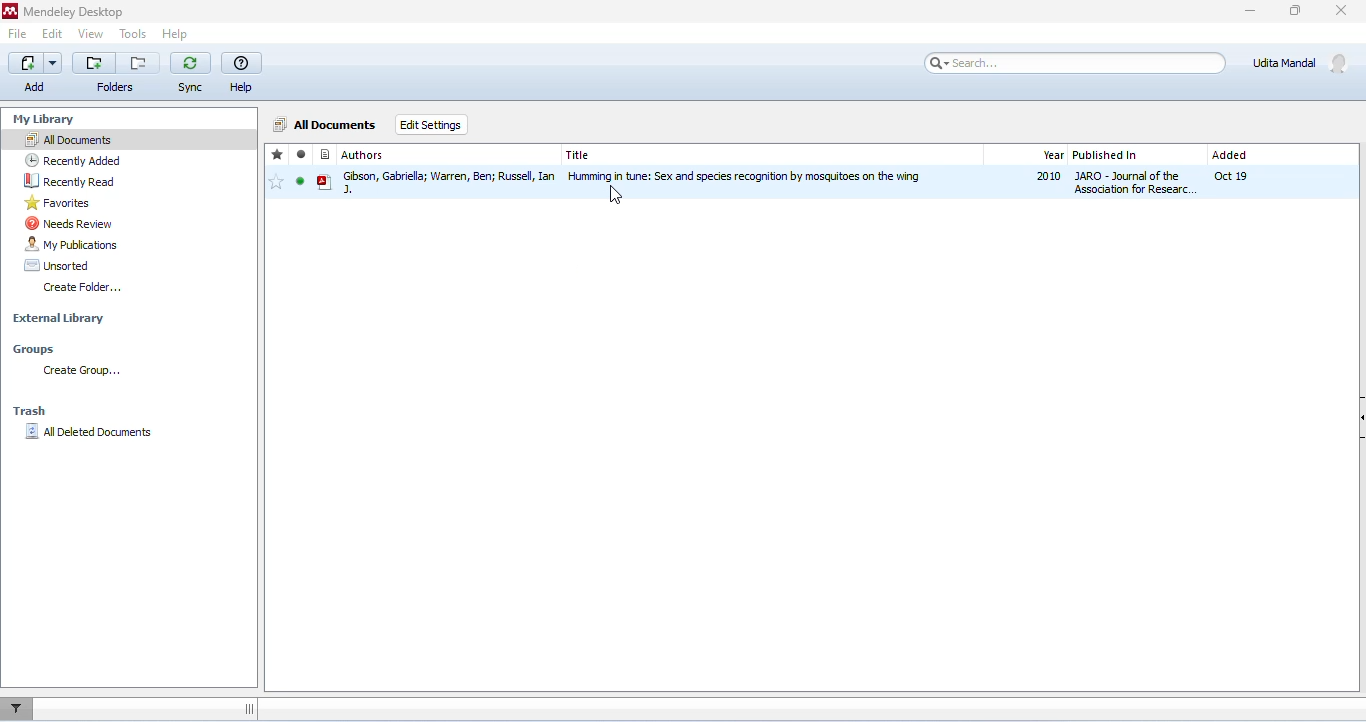 This screenshot has height=722, width=1366. I want to click on Mendeley Desktop, so click(63, 13).